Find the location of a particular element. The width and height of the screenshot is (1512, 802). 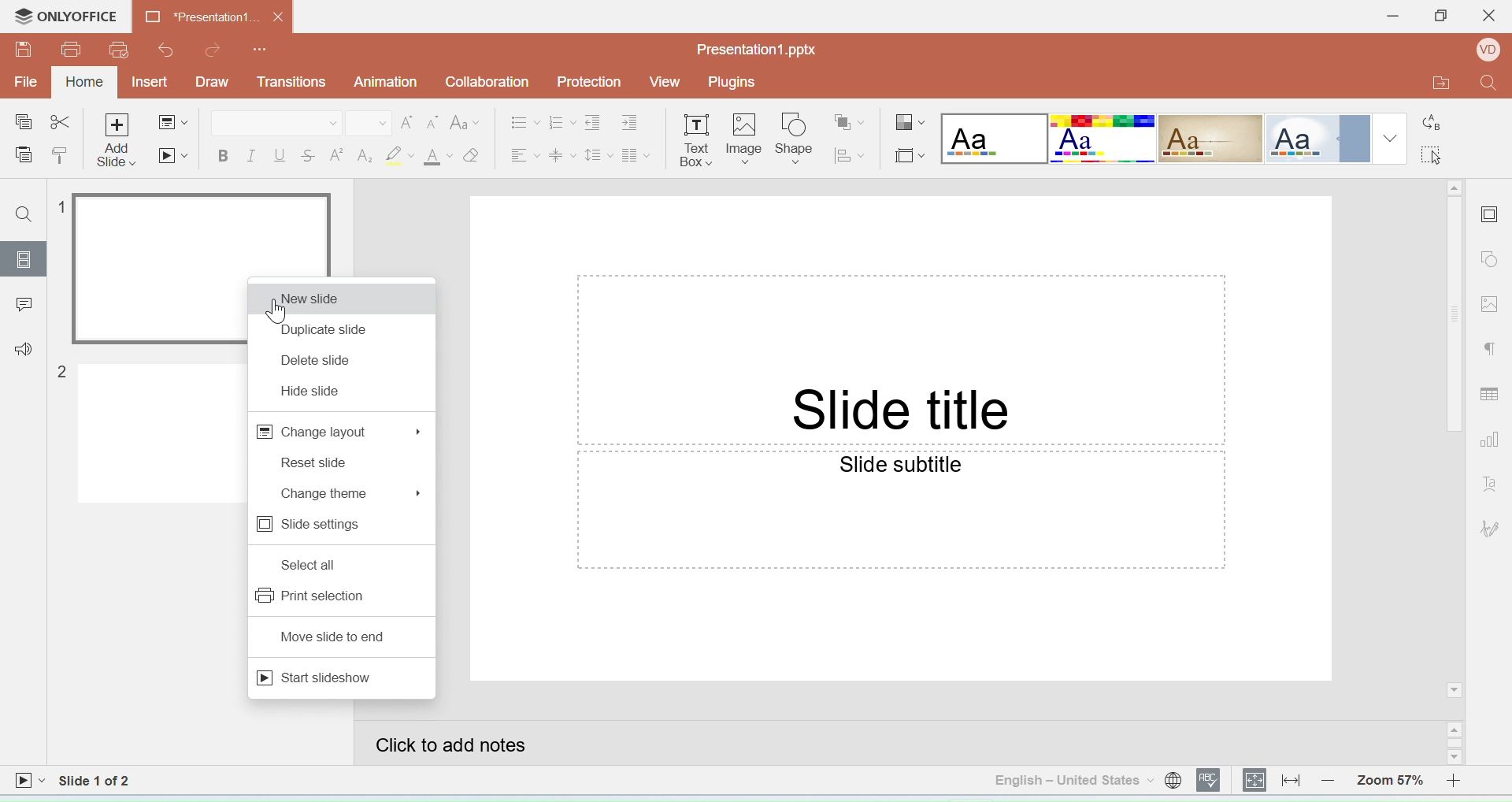

Redo is located at coordinates (214, 50).